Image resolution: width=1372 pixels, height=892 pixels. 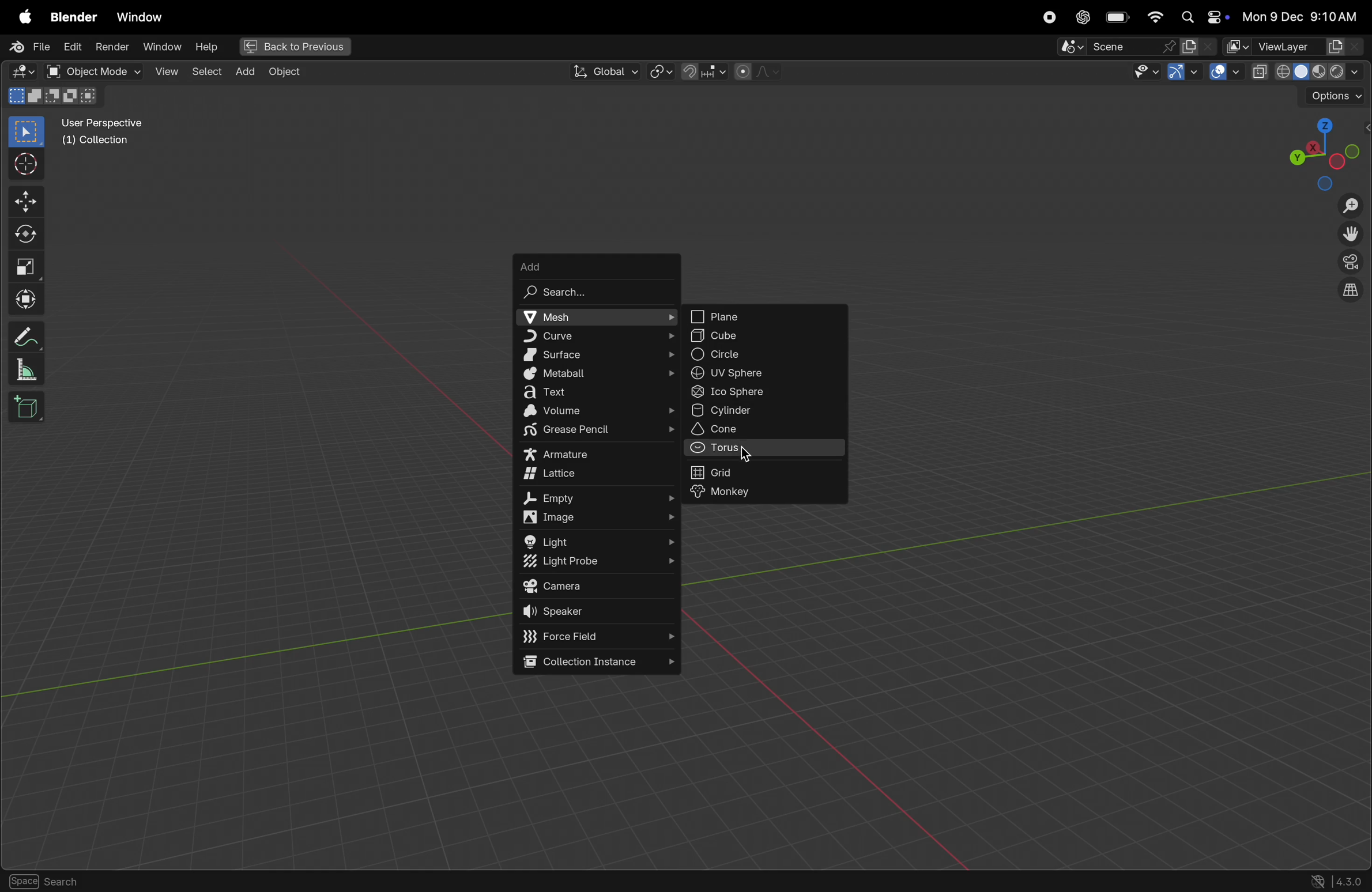 I want to click on add, so click(x=242, y=71).